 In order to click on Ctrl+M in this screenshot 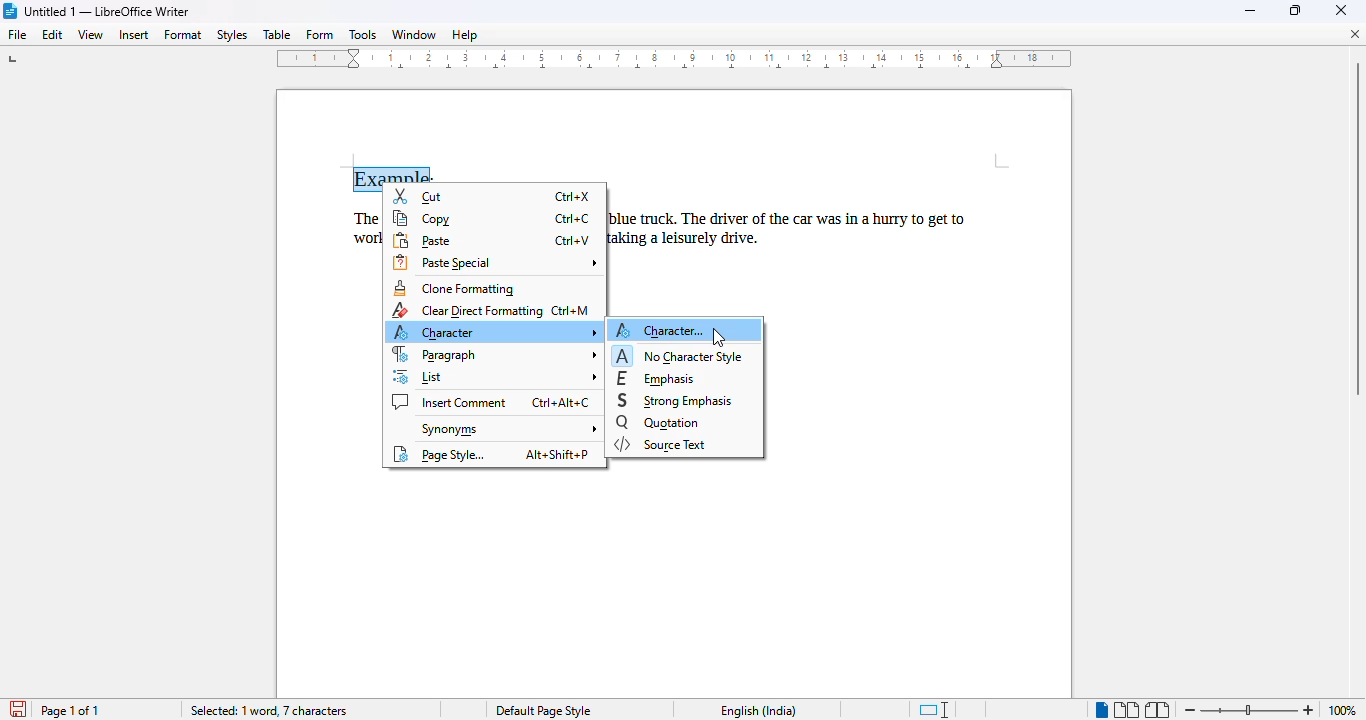, I will do `click(571, 311)`.